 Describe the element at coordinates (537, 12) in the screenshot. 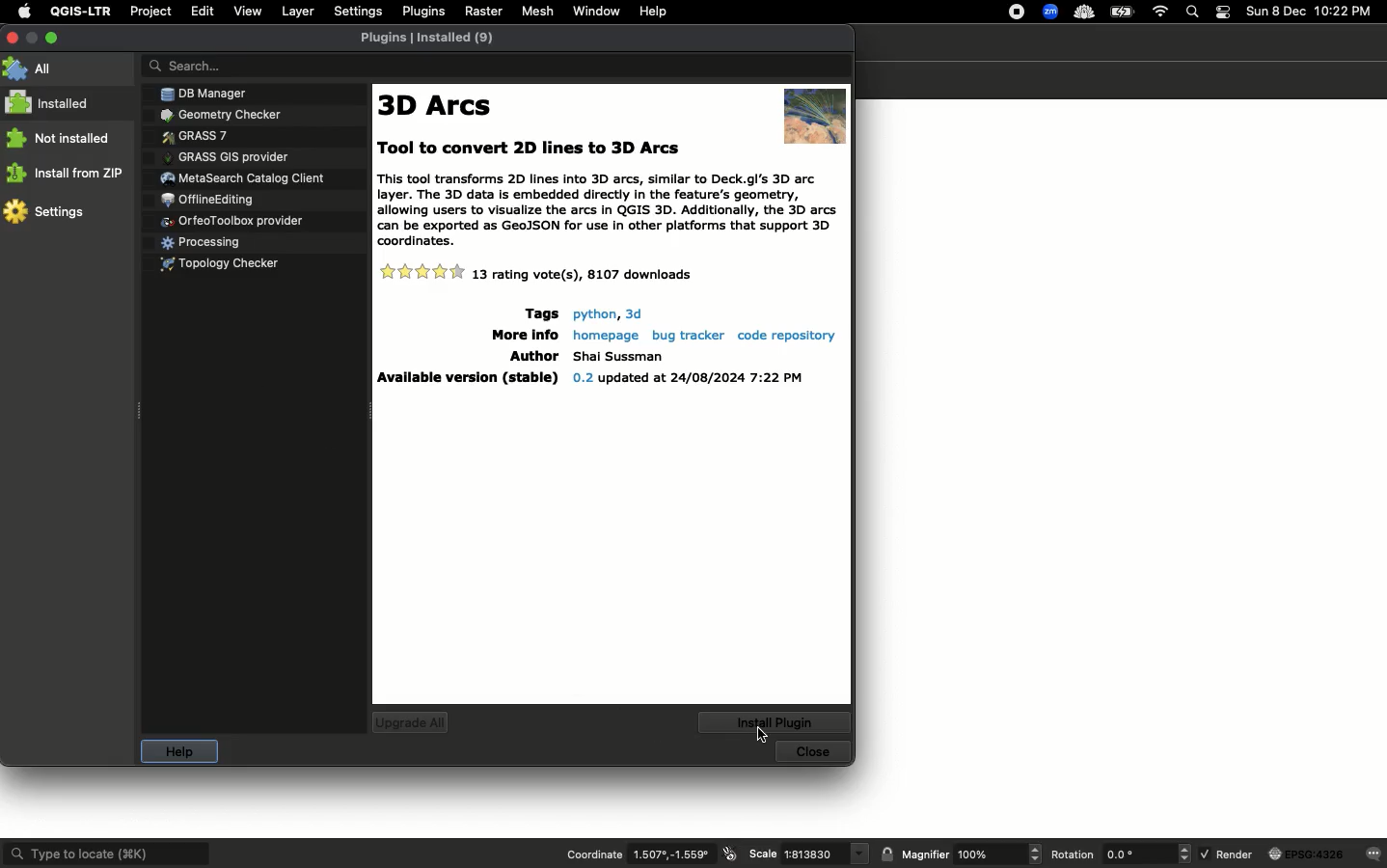

I see `Mesh` at that location.